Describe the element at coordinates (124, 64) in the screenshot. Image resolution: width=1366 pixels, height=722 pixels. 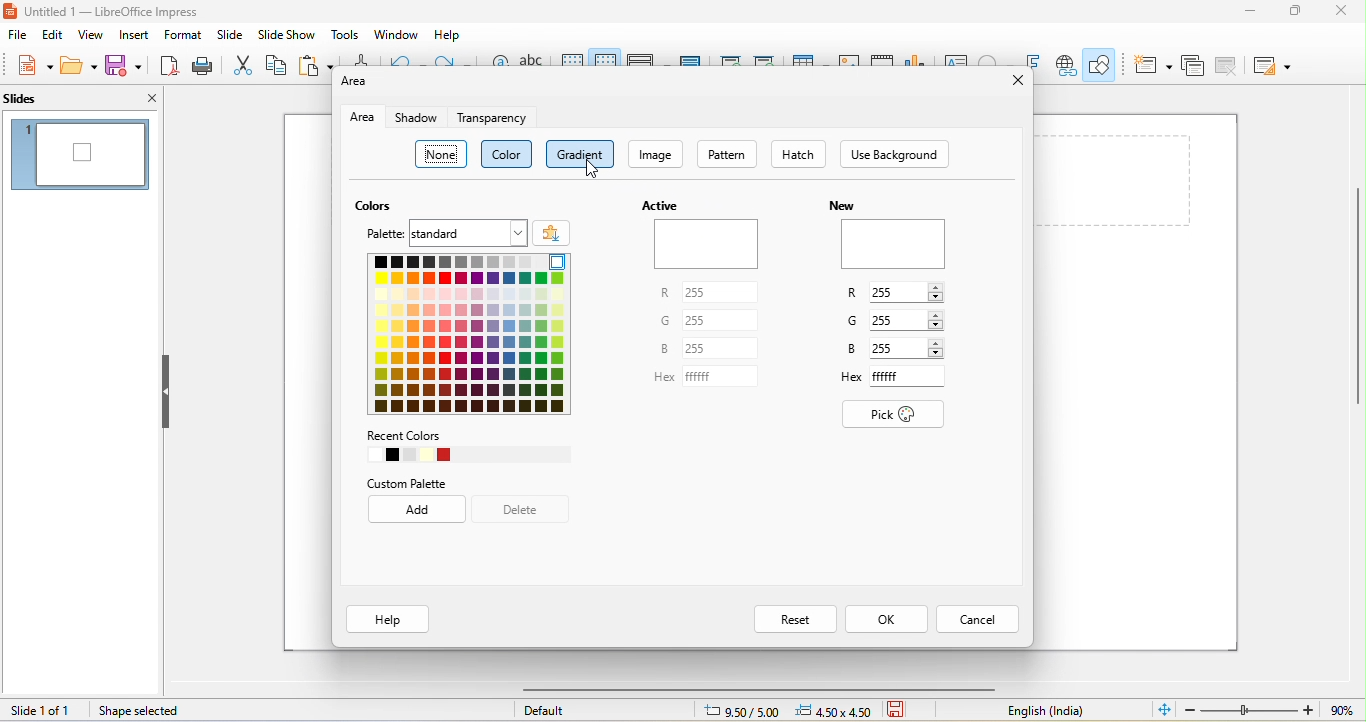
I see `save` at that location.